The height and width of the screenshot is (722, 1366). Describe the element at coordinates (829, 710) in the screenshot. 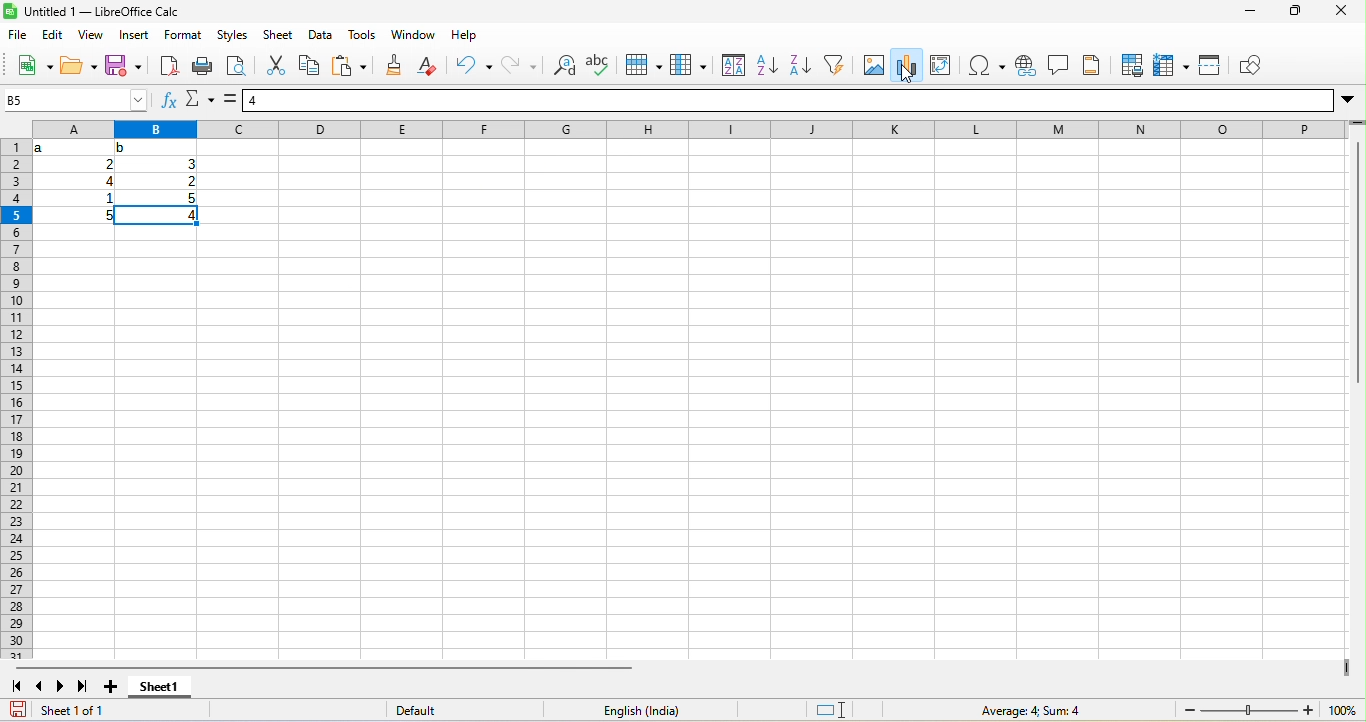

I see `standard selection` at that location.